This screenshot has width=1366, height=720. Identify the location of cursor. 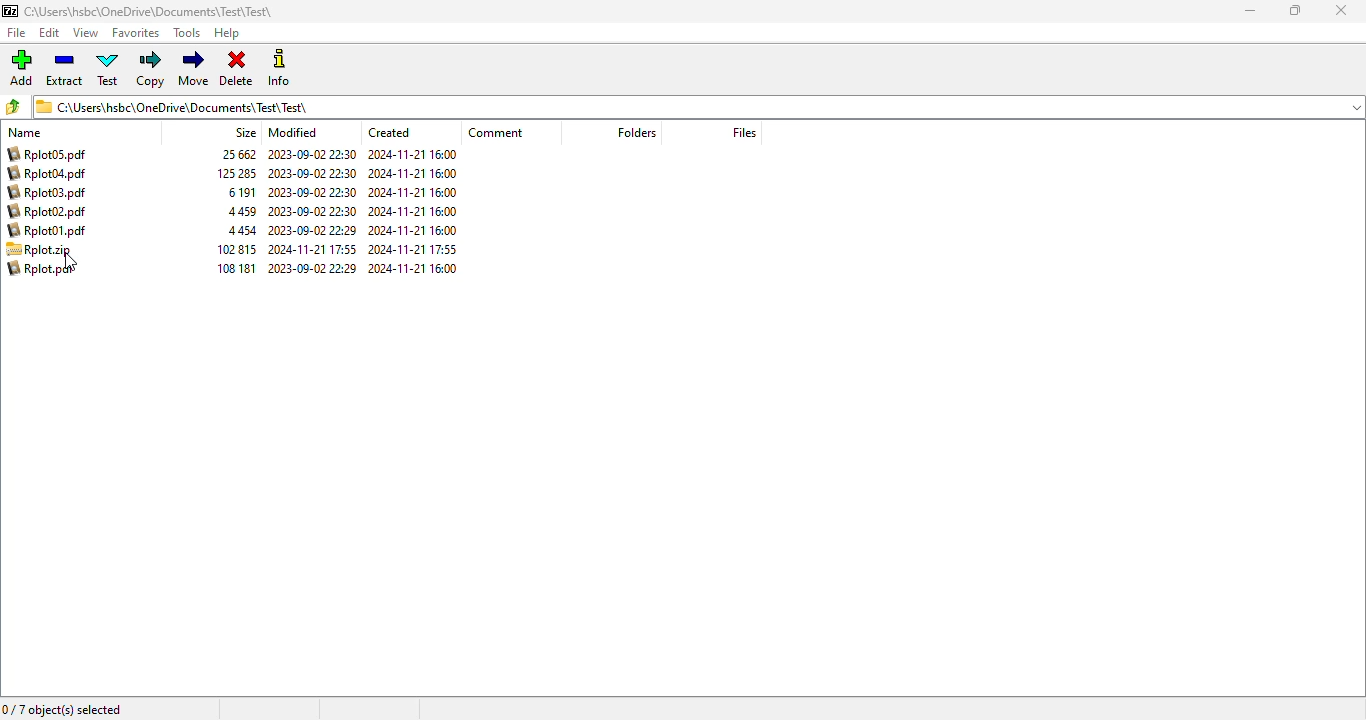
(70, 262).